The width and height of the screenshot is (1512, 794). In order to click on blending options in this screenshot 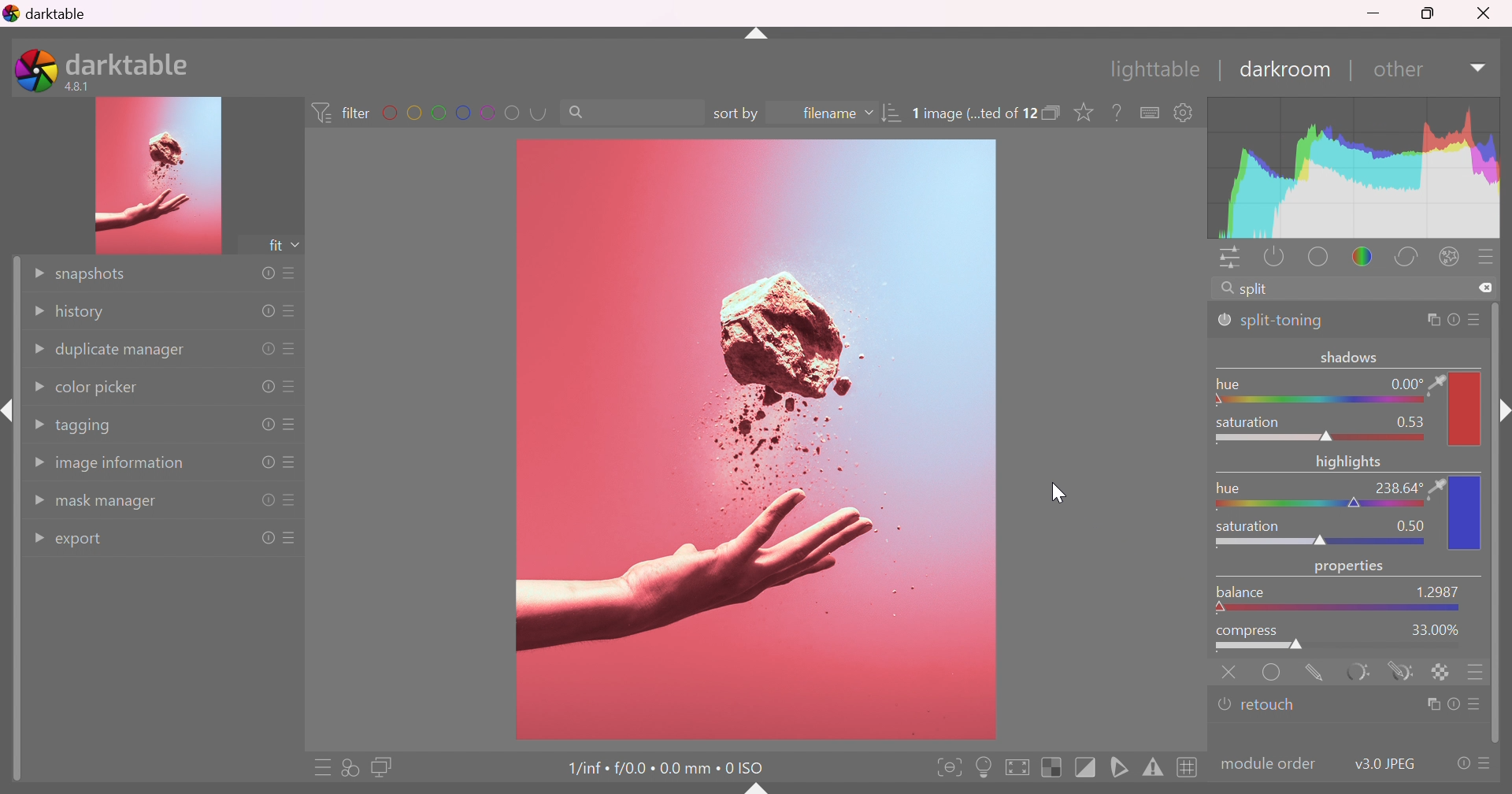, I will do `click(1477, 673)`.